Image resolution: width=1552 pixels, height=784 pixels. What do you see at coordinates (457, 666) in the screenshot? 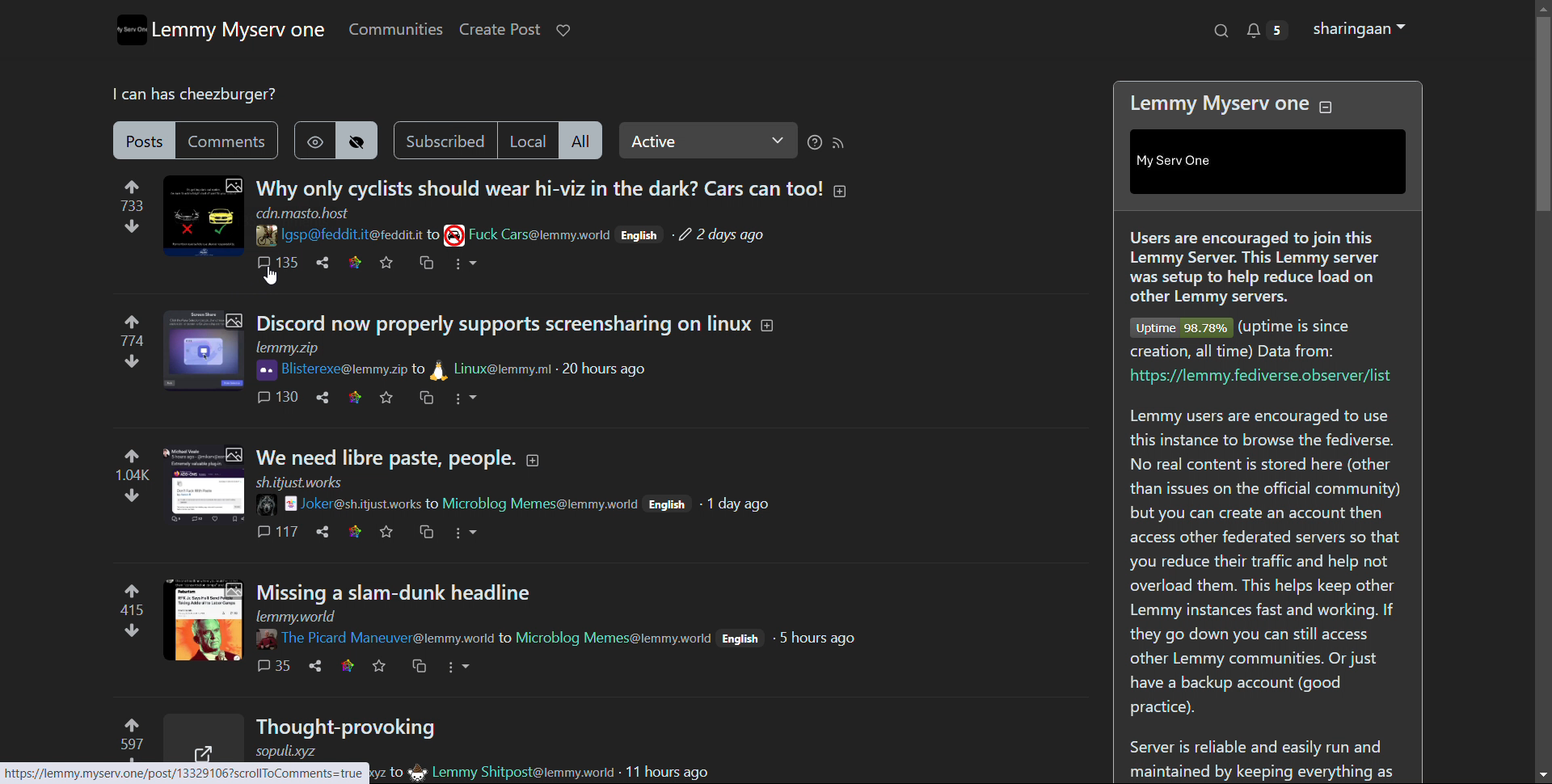
I see `options` at bounding box center [457, 666].